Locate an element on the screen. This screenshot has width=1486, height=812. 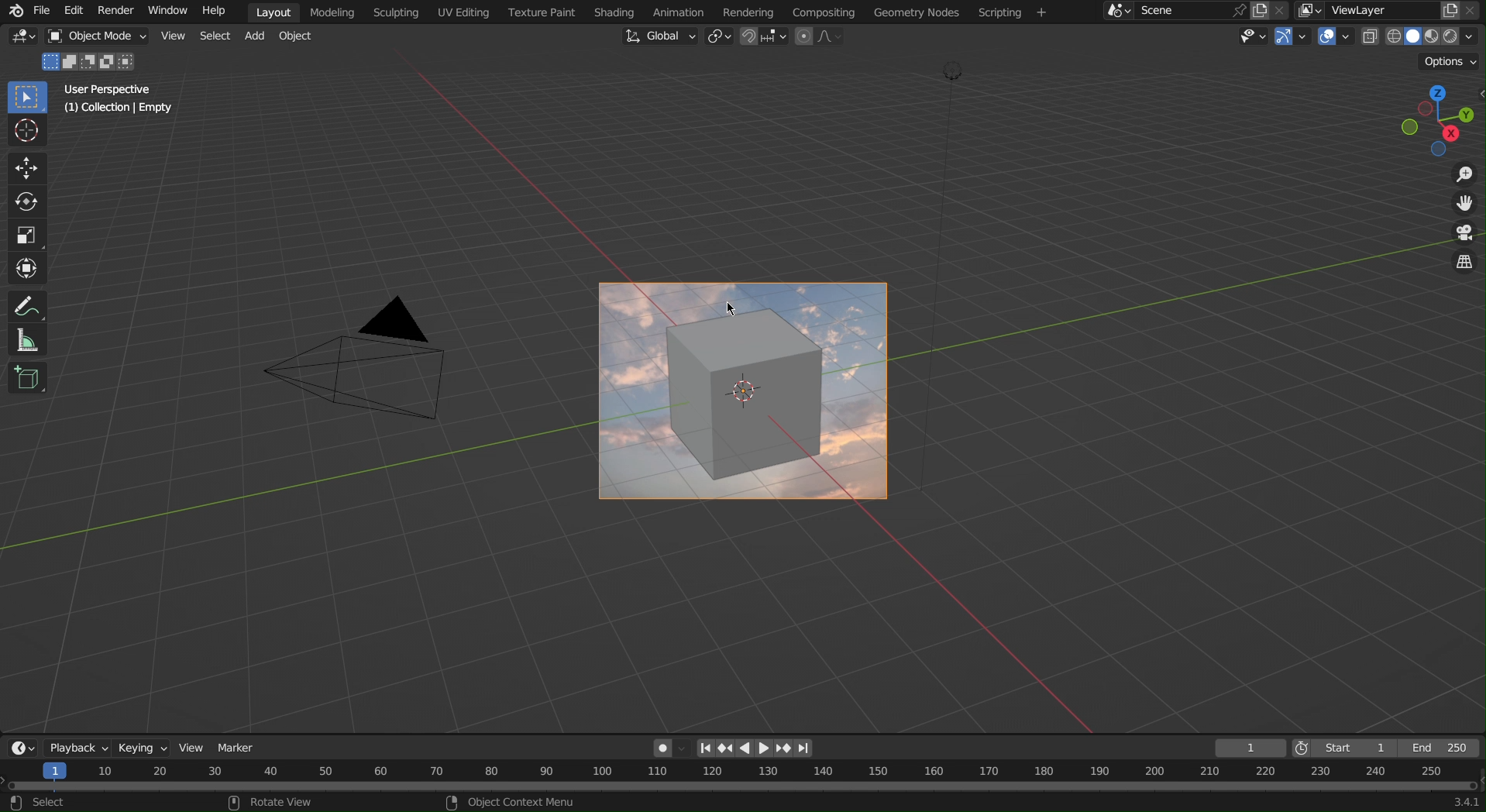
Window is located at coordinates (163, 12).